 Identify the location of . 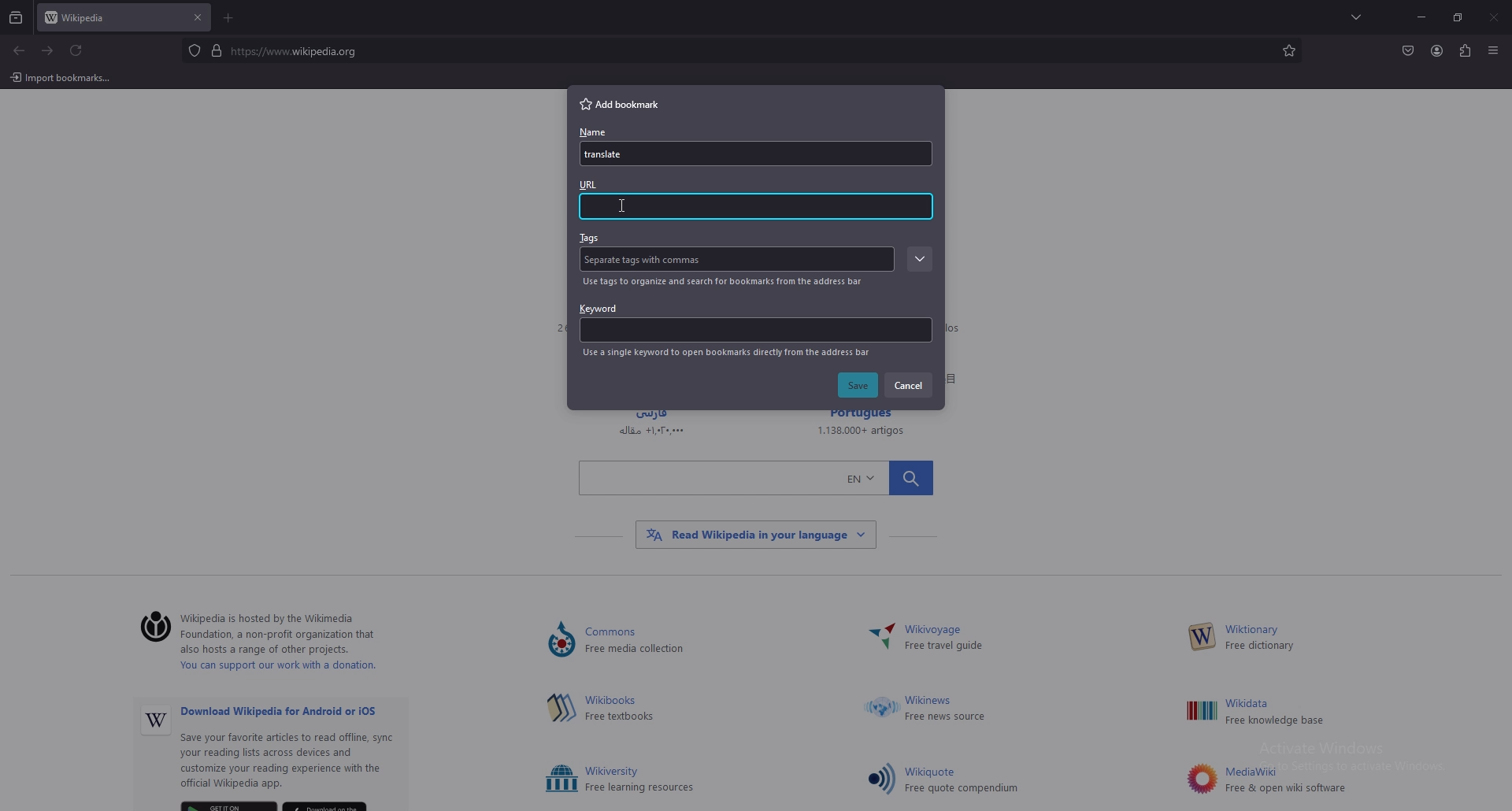
(1200, 711).